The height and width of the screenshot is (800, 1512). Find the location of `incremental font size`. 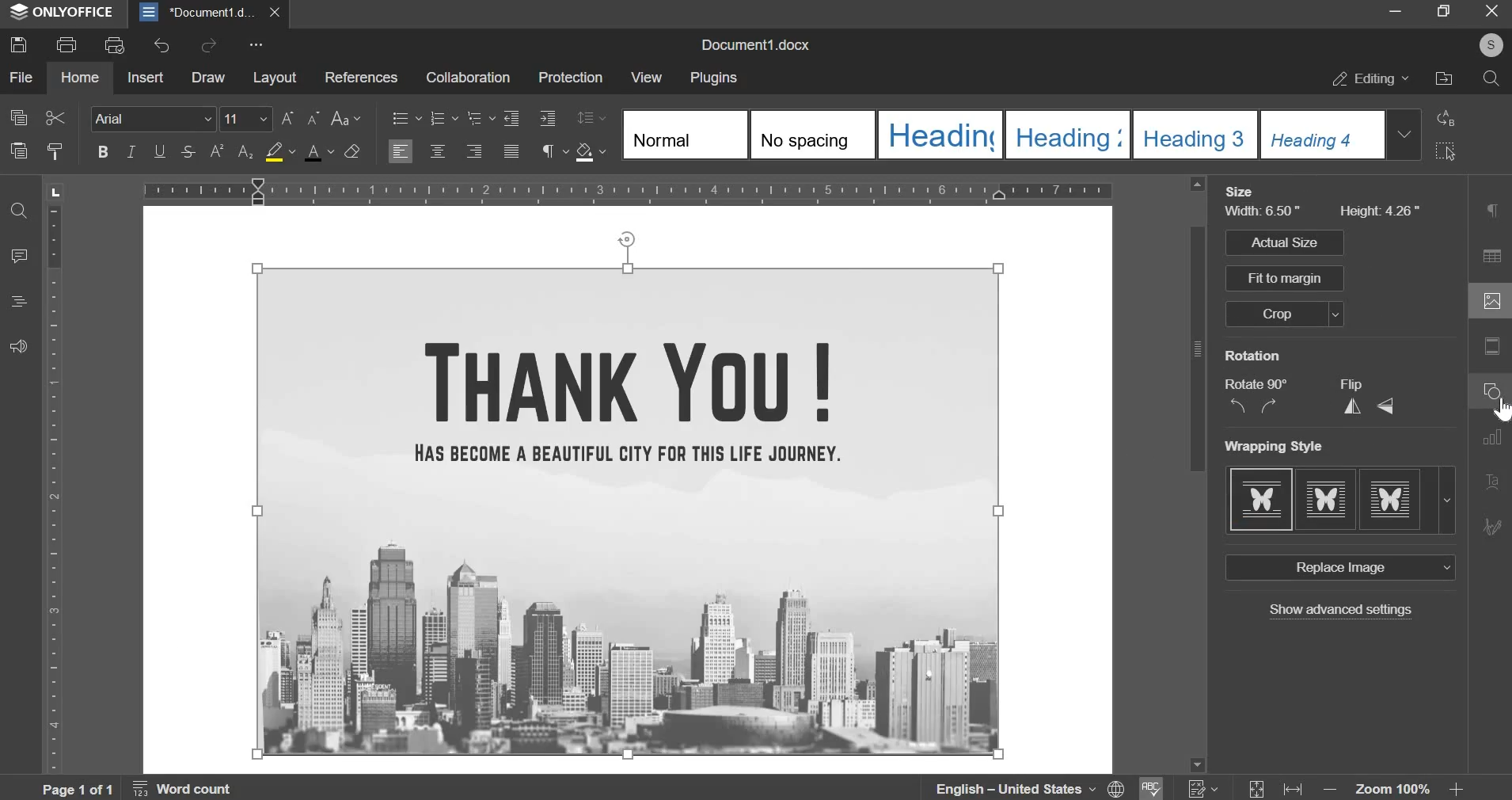

incremental font size is located at coordinates (290, 119).